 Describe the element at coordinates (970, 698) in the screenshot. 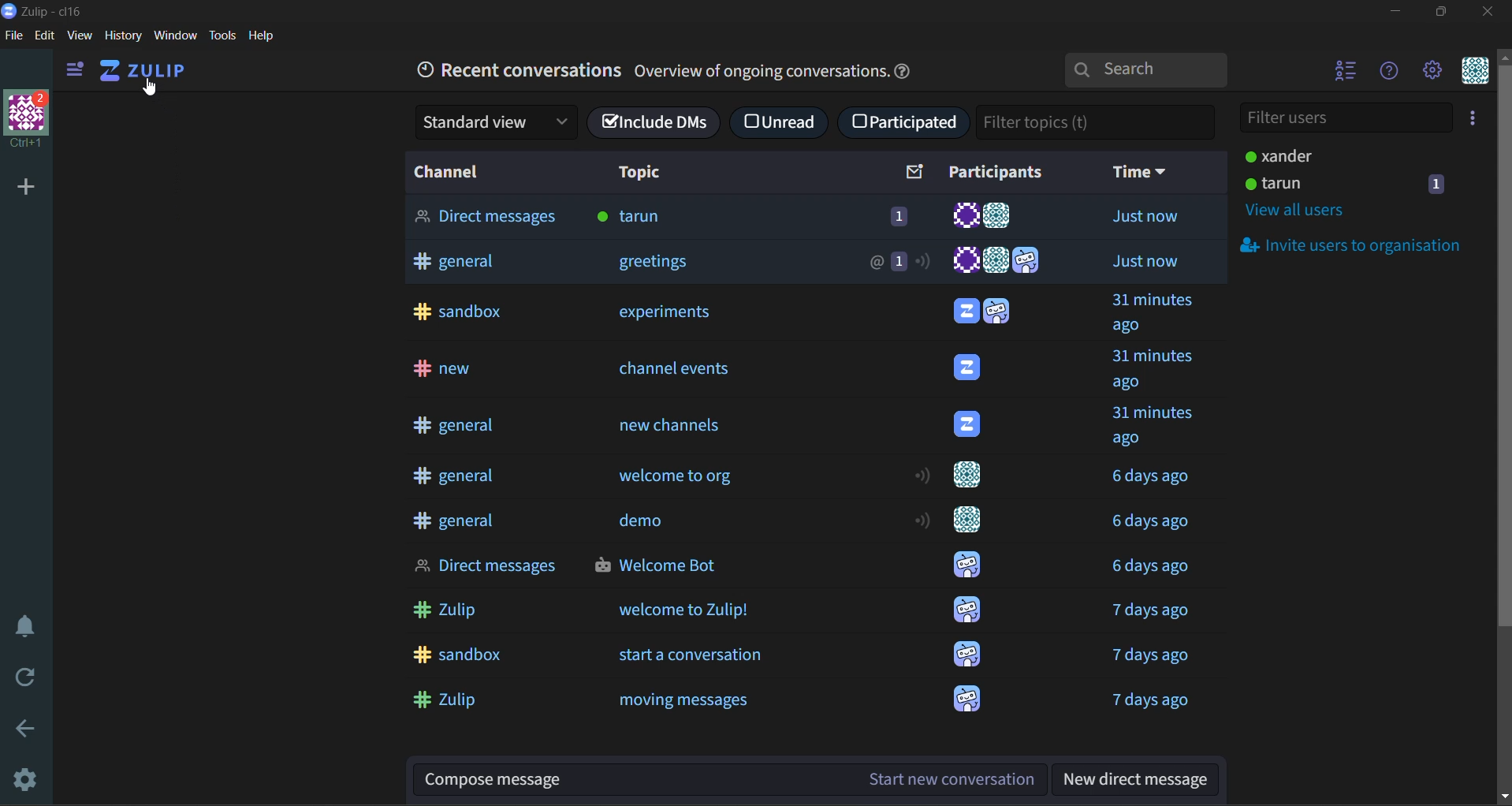

I see `User` at that location.